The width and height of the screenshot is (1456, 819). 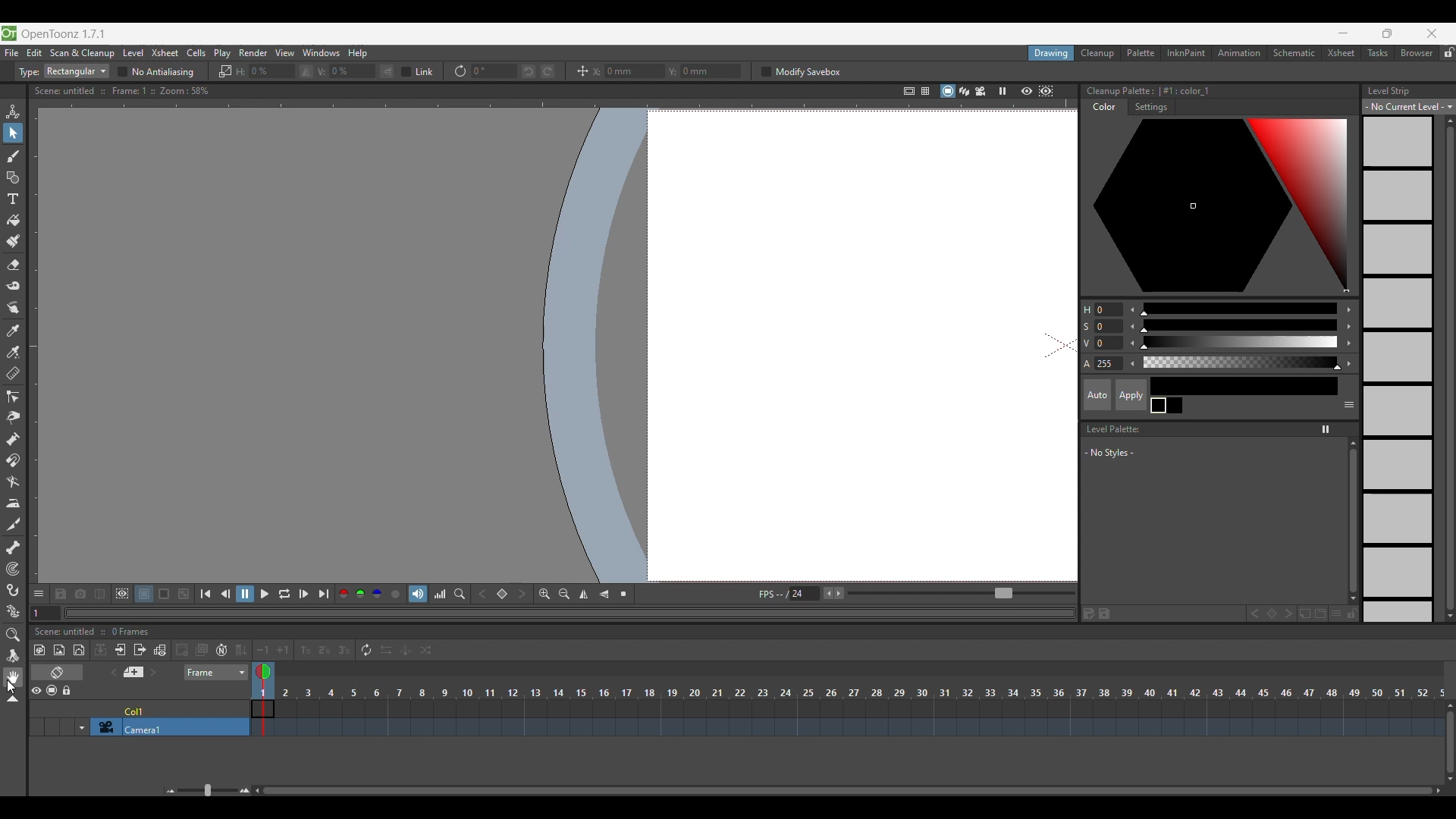 What do you see at coordinates (13, 286) in the screenshot?
I see `Tape tool` at bounding box center [13, 286].